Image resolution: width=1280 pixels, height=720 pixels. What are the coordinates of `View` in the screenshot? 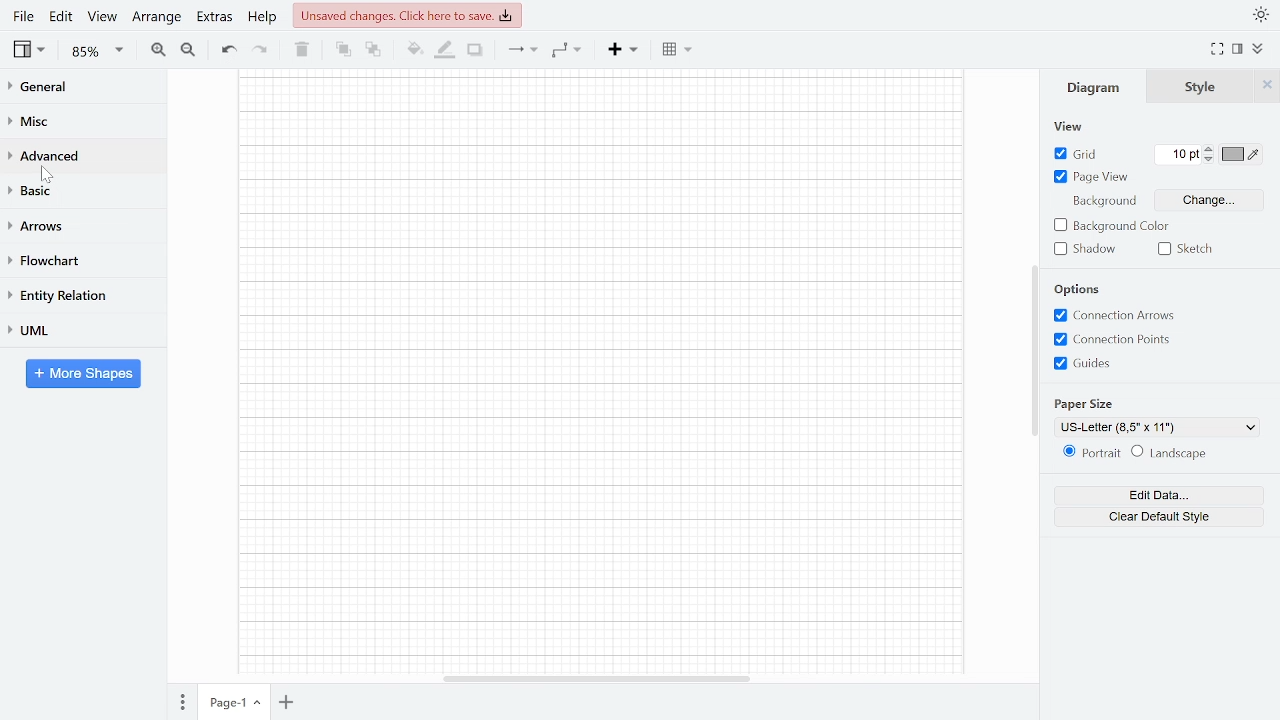 It's located at (102, 16).